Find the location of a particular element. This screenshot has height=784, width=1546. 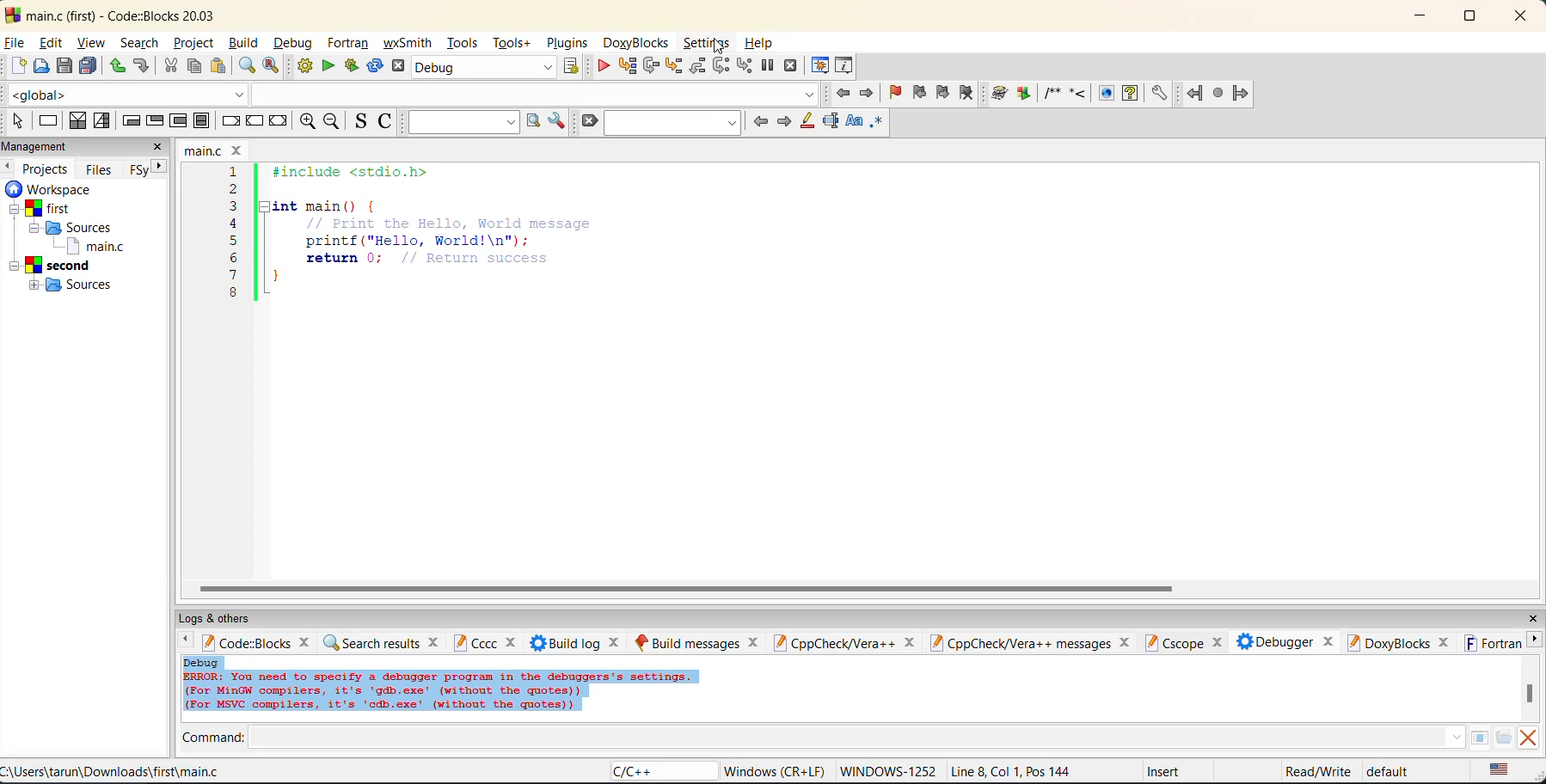

doxyblocks is located at coordinates (635, 42).